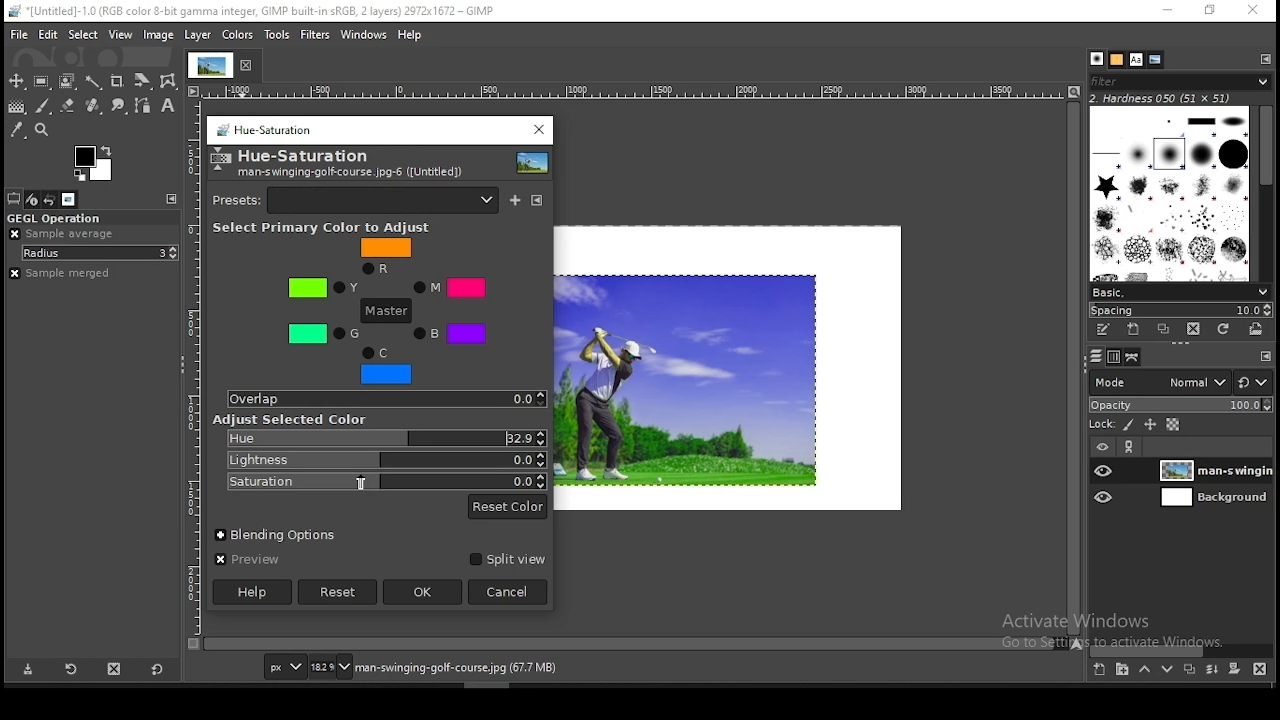 The height and width of the screenshot is (720, 1280). What do you see at coordinates (635, 644) in the screenshot?
I see `scroll bar` at bounding box center [635, 644].